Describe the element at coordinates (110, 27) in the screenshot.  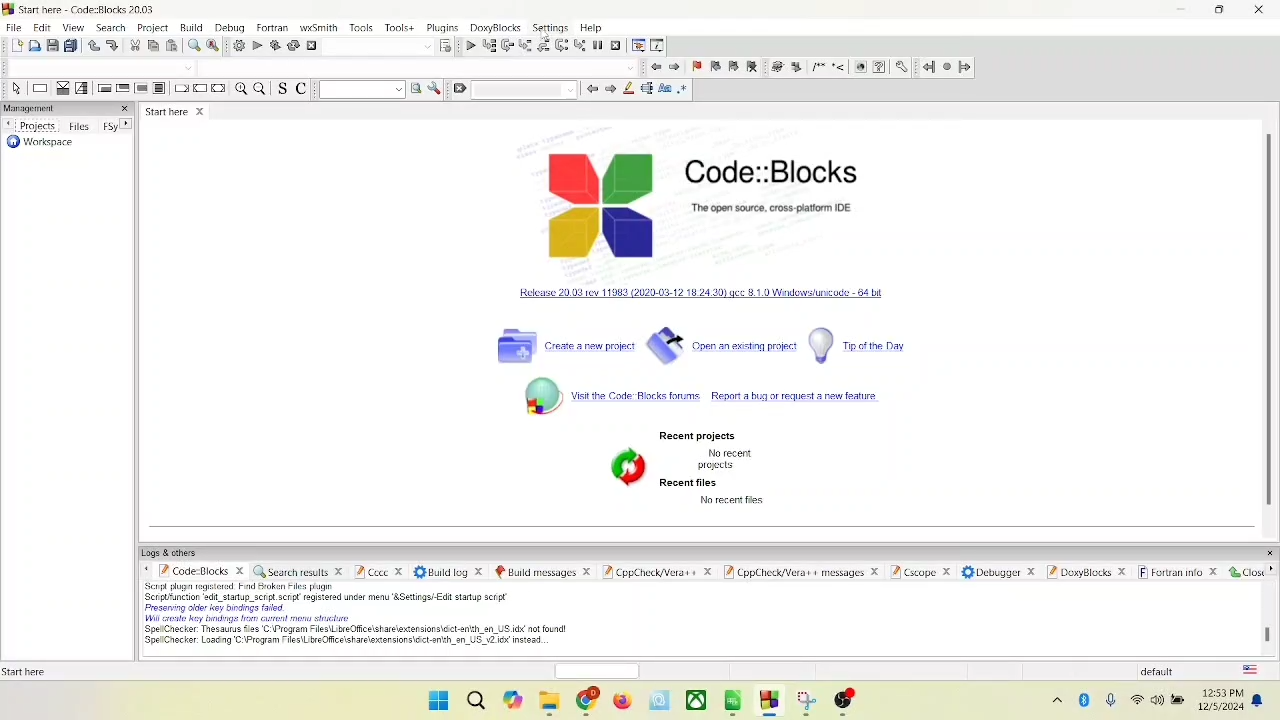
I see `search` at that location.